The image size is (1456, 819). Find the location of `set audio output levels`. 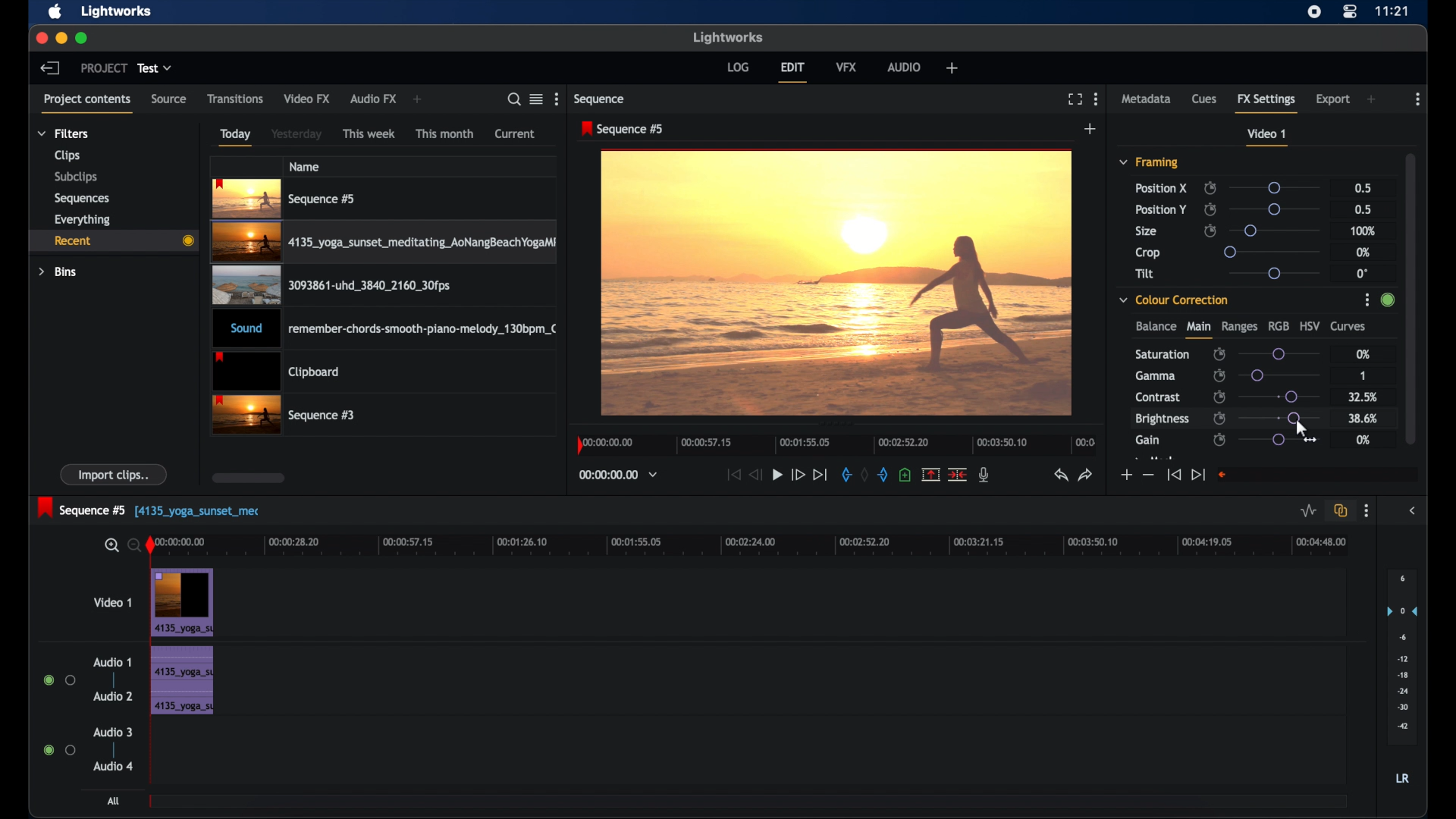

set audio output levels is located at coordinates (1402, 655).